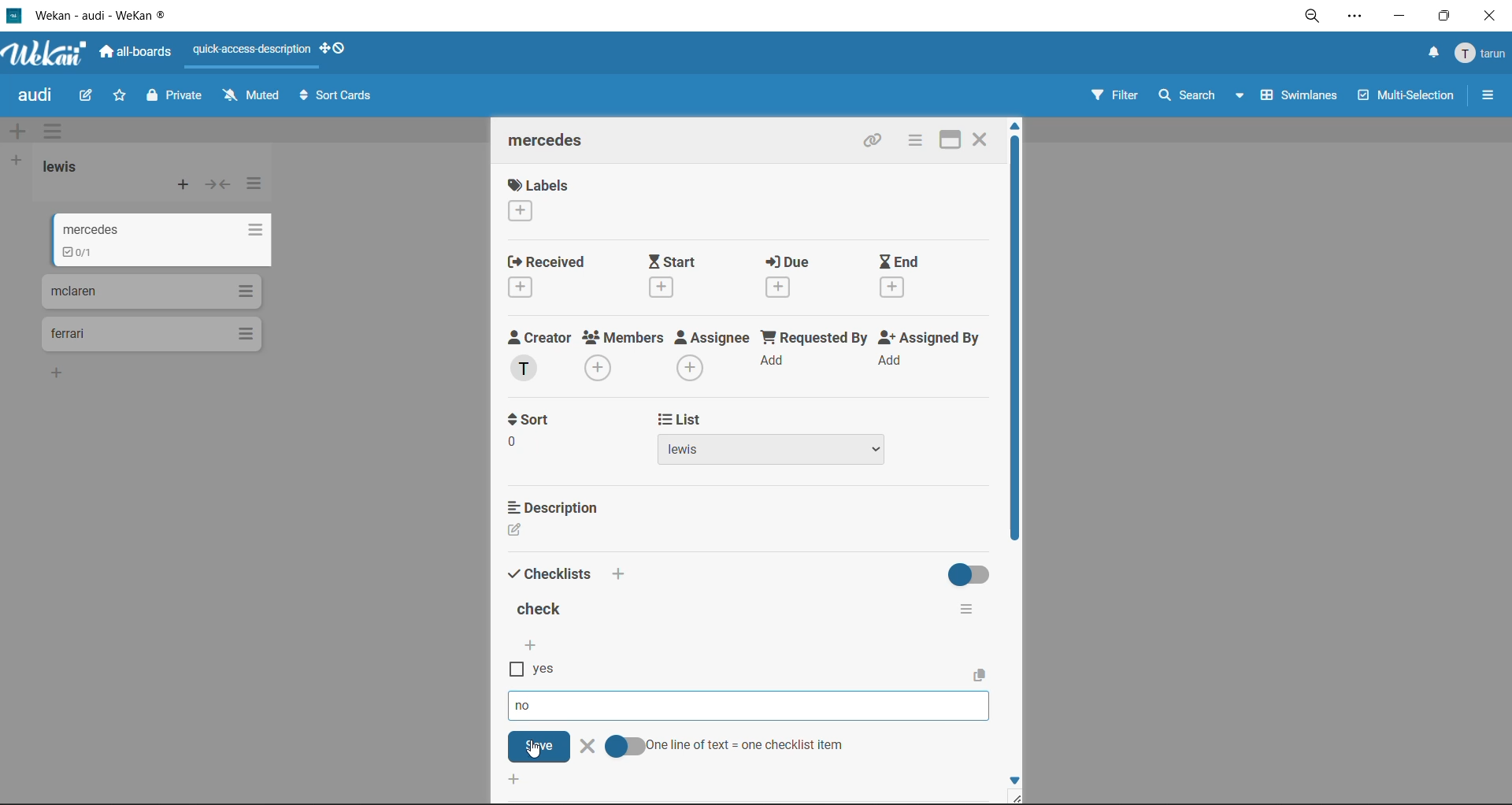 The width and height of the screenshot is (1512, 805). Describe the element at coordinates (624, 355) in the screenshot. I see `members` at that location.